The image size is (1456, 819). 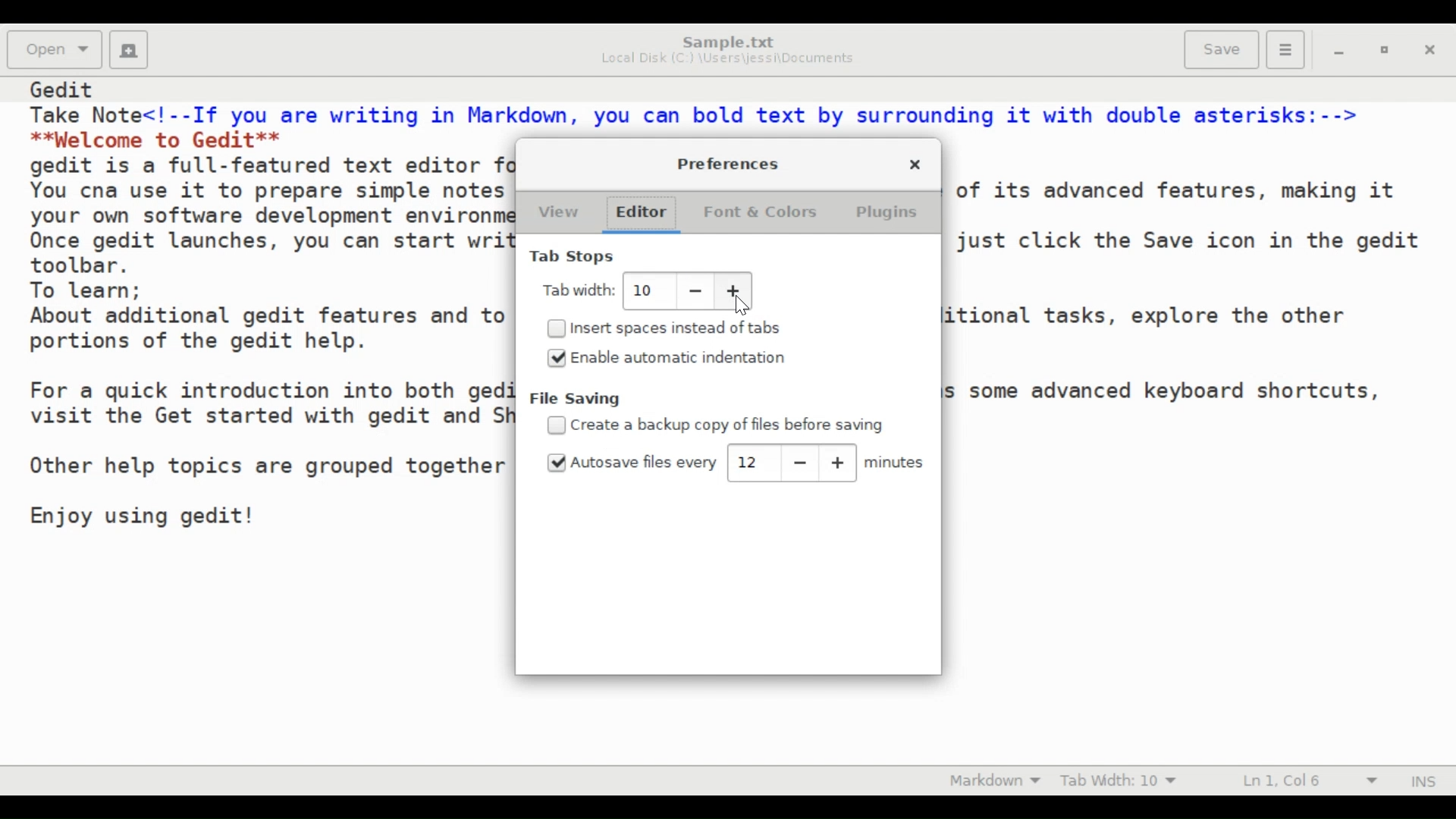 What do you see at coordinates (672, 328) in the screenshot?
I see `(un)select Insert spaces instead o tabs` at bounding box center [672, 328].